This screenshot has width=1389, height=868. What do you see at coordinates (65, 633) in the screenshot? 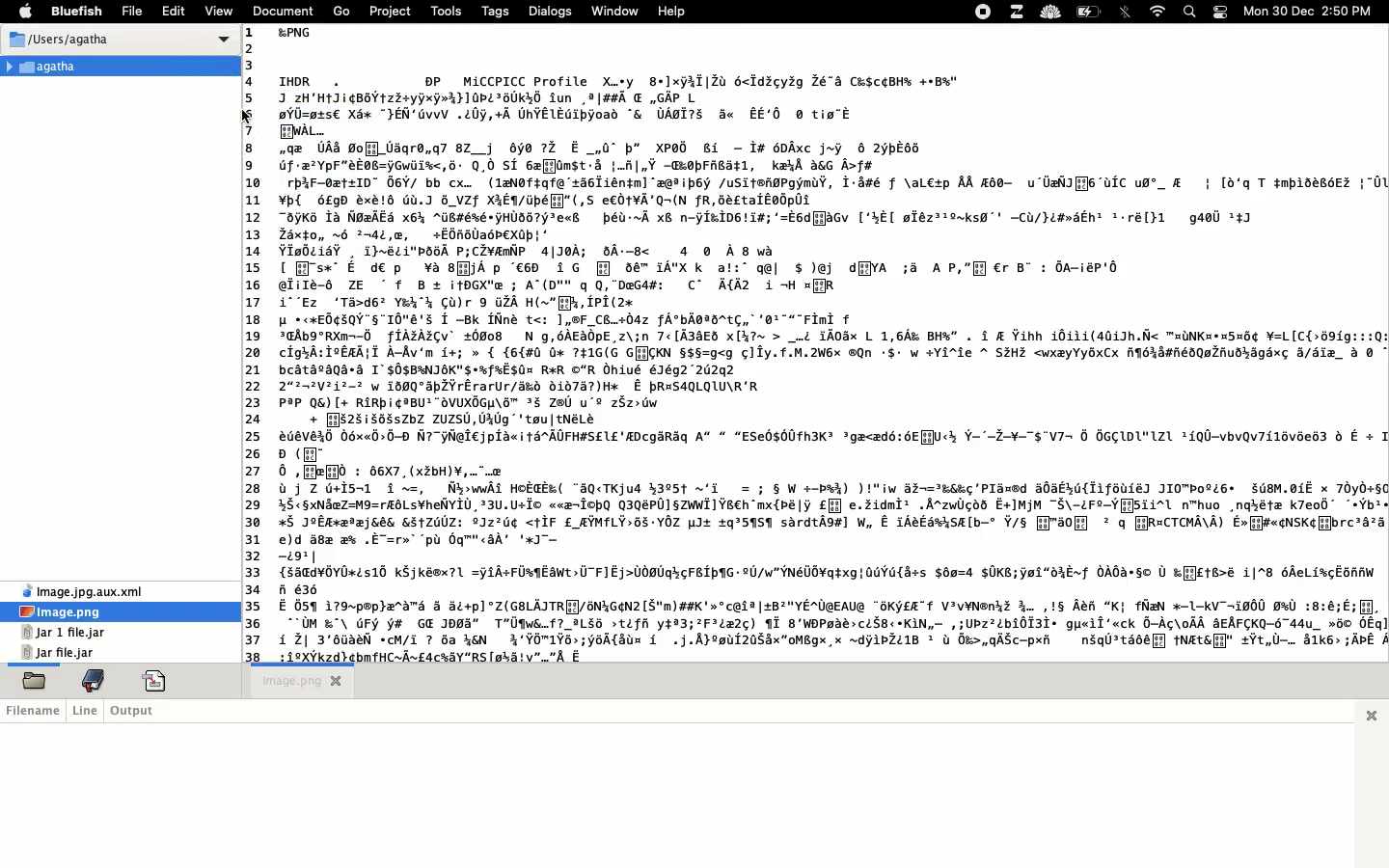
I see `jar 1 file jar` at bounding box center [65, 633].